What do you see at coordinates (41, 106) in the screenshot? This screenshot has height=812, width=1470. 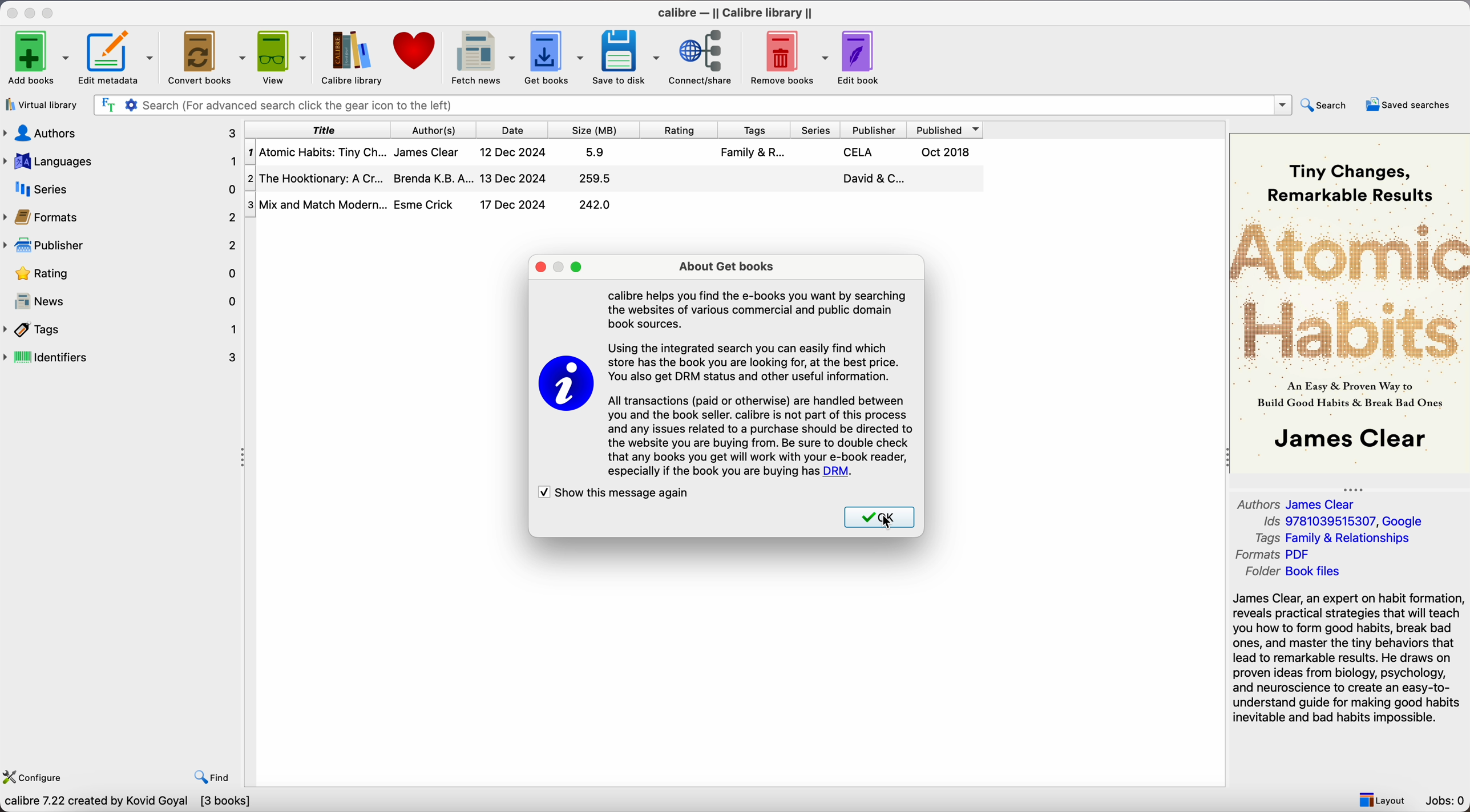 I see `virtual library` at bounding box center [41, 106].